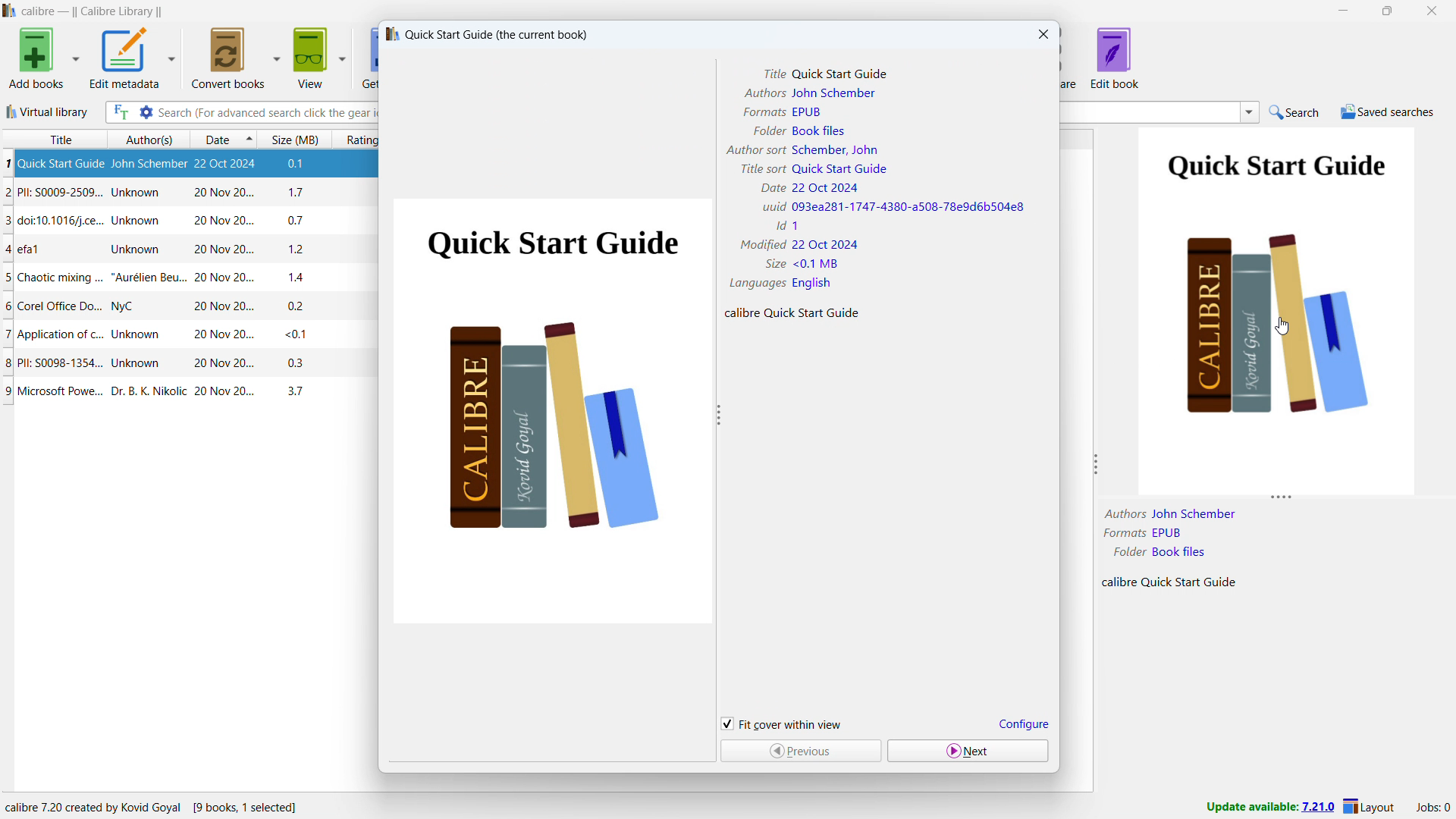 This screenshot has height=819, width=1456. Describe the element at coordinates (1295, 112) in the screenshot. I see `do a quick search` at that location.